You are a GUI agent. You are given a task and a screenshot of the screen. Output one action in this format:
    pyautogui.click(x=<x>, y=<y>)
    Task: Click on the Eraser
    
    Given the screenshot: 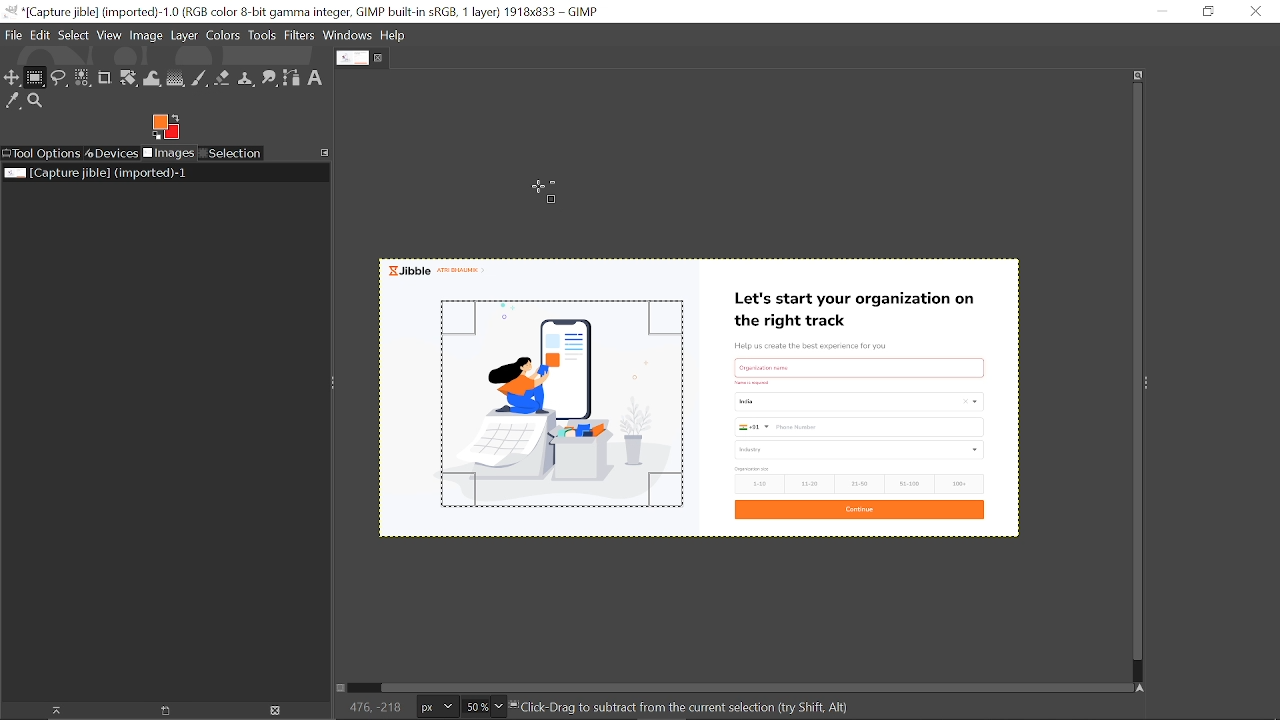 What is the action you would take?
    pyautogui.click(x=223, y=79)
    